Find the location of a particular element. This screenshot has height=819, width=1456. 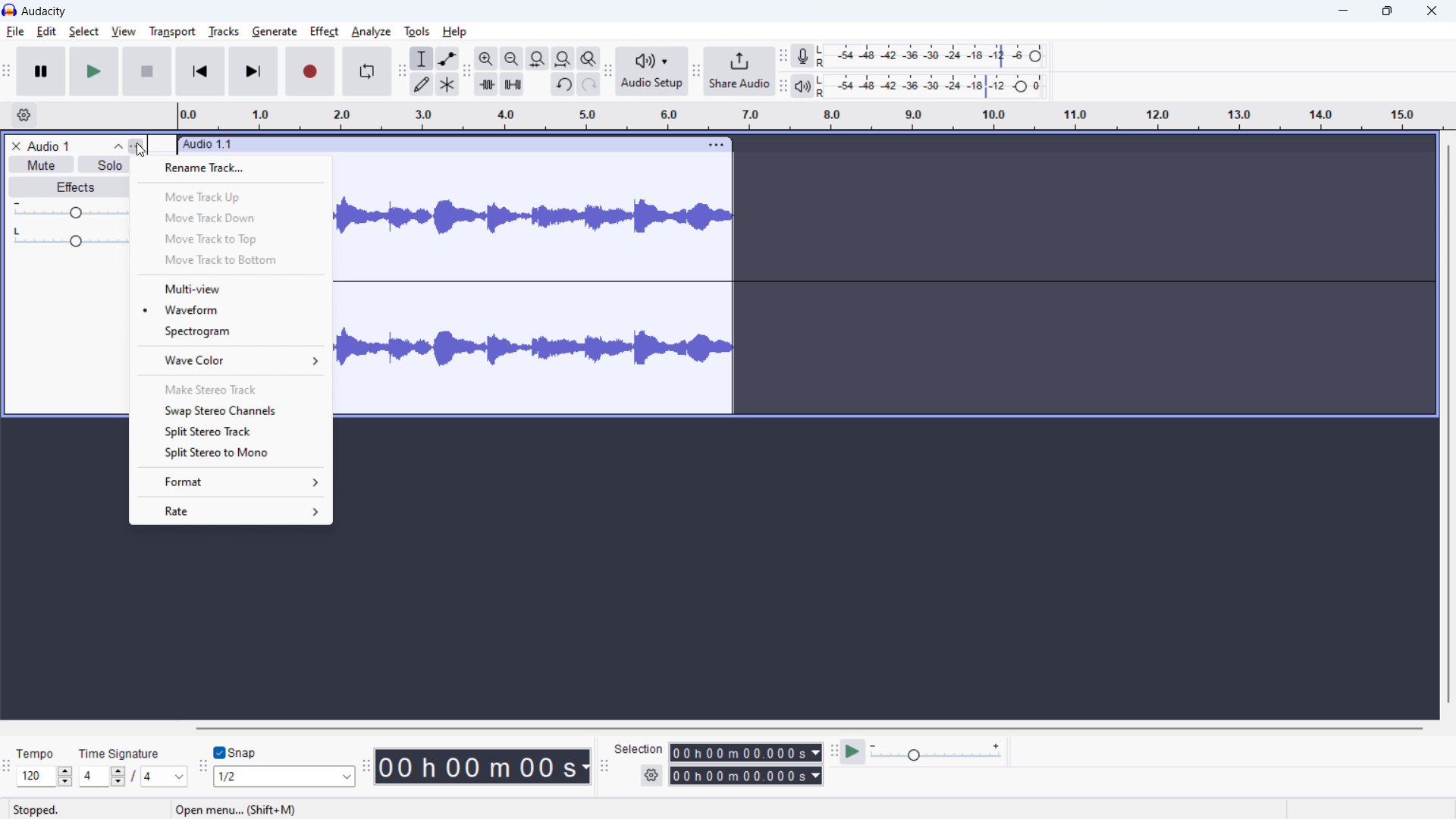

playback meter is located at coordinates (805, 85).